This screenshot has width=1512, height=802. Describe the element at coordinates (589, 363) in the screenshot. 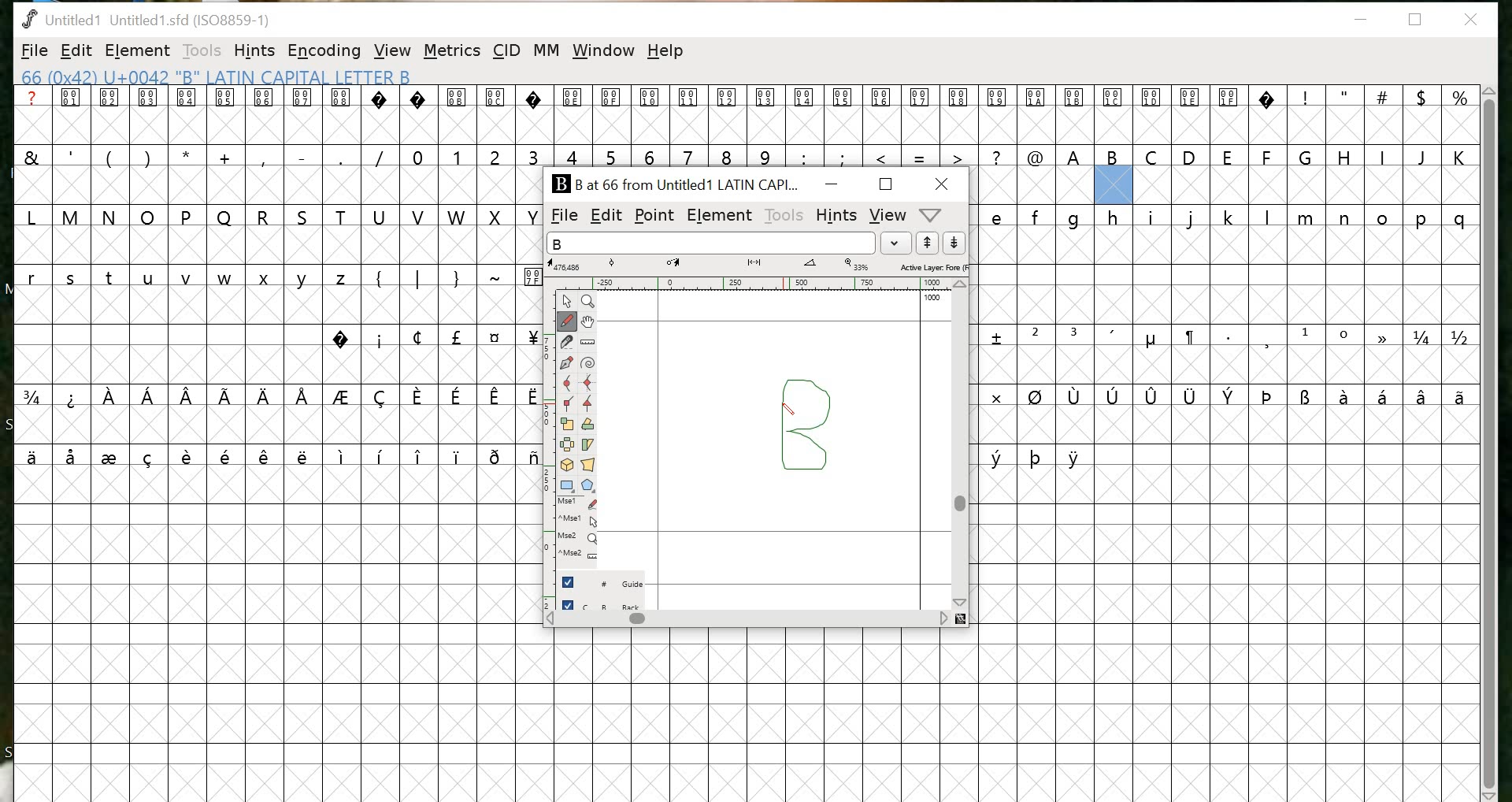

I see `Spiro` at that location.